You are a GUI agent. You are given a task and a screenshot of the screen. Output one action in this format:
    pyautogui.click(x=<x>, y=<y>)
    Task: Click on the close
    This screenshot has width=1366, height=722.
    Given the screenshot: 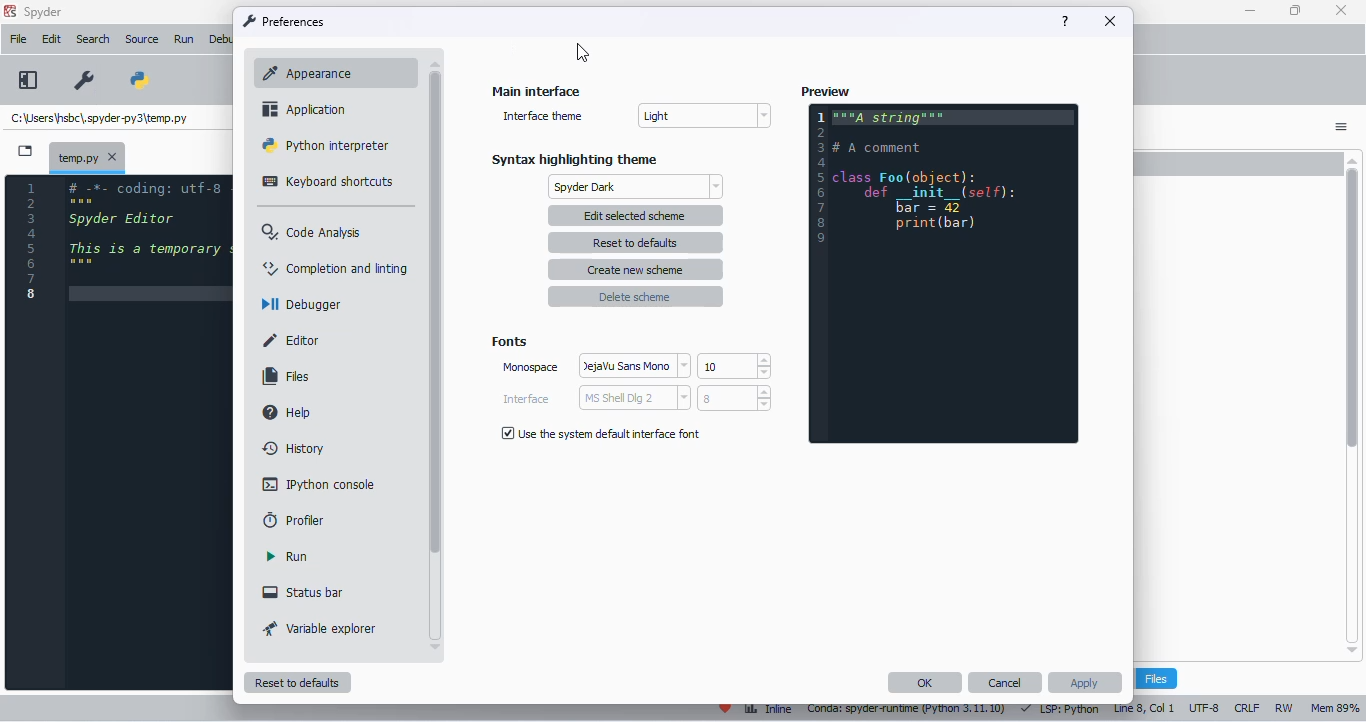 What is the action you would take?
    pyautogui.click(x=112, y=157)
    